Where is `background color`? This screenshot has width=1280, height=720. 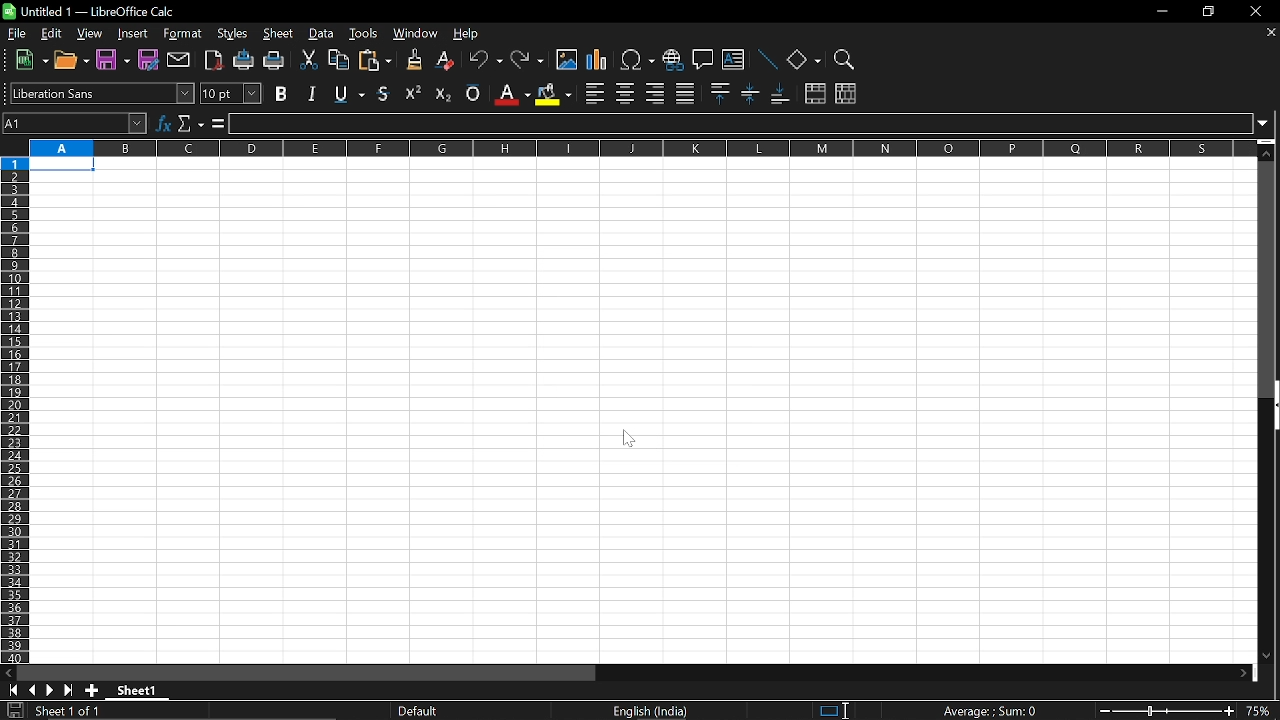
background color is located at coordinates (552, 93).